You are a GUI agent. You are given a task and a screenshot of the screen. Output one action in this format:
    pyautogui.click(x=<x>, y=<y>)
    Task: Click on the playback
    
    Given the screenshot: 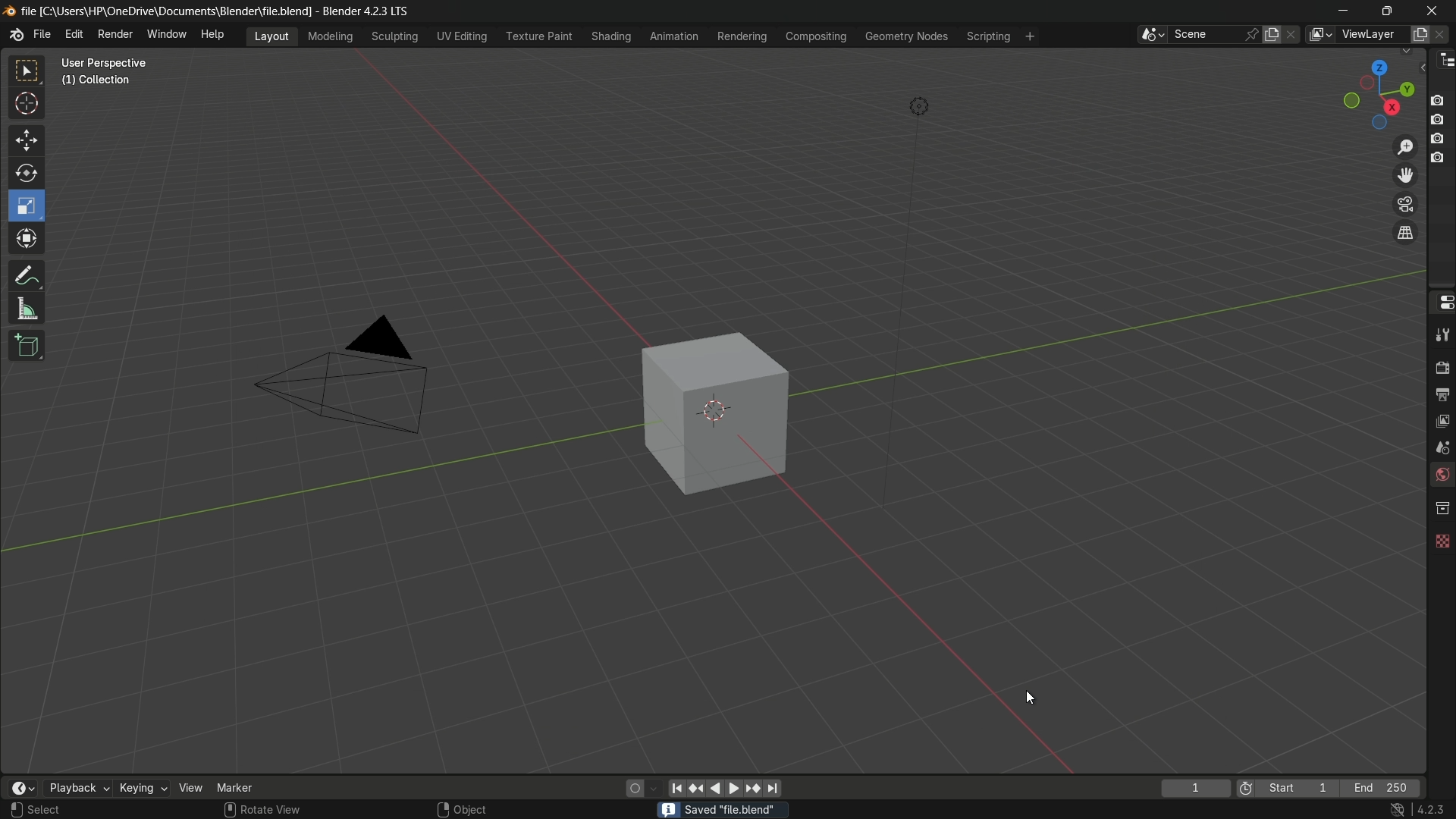 What is the action you would take?
    pyautogui.click(x=77, y=788)
    